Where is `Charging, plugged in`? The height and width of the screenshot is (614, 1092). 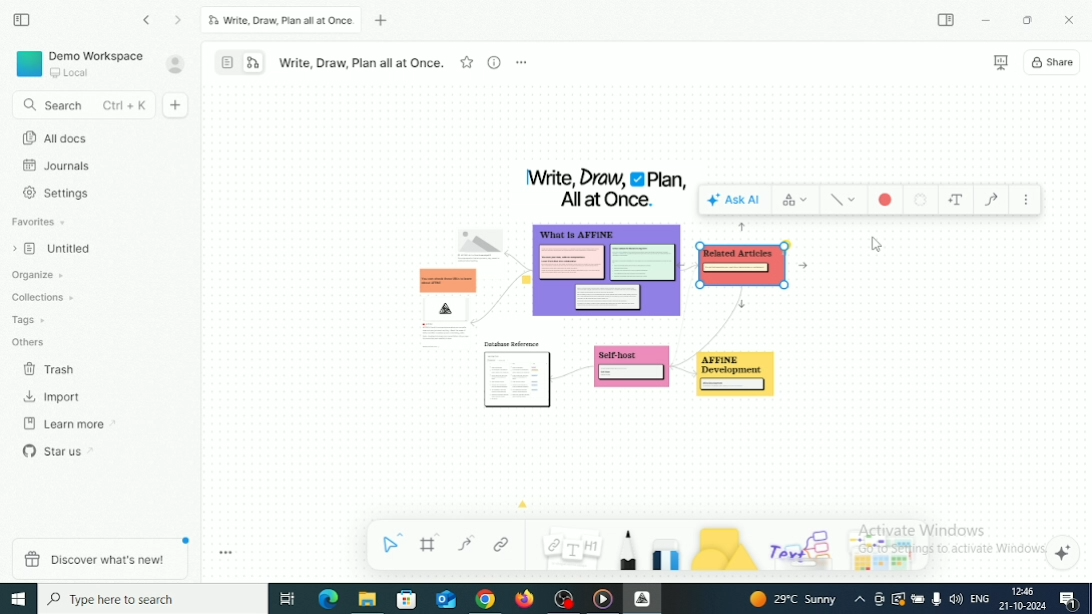 Charging, plugged in is located at coordinates (918, 597).